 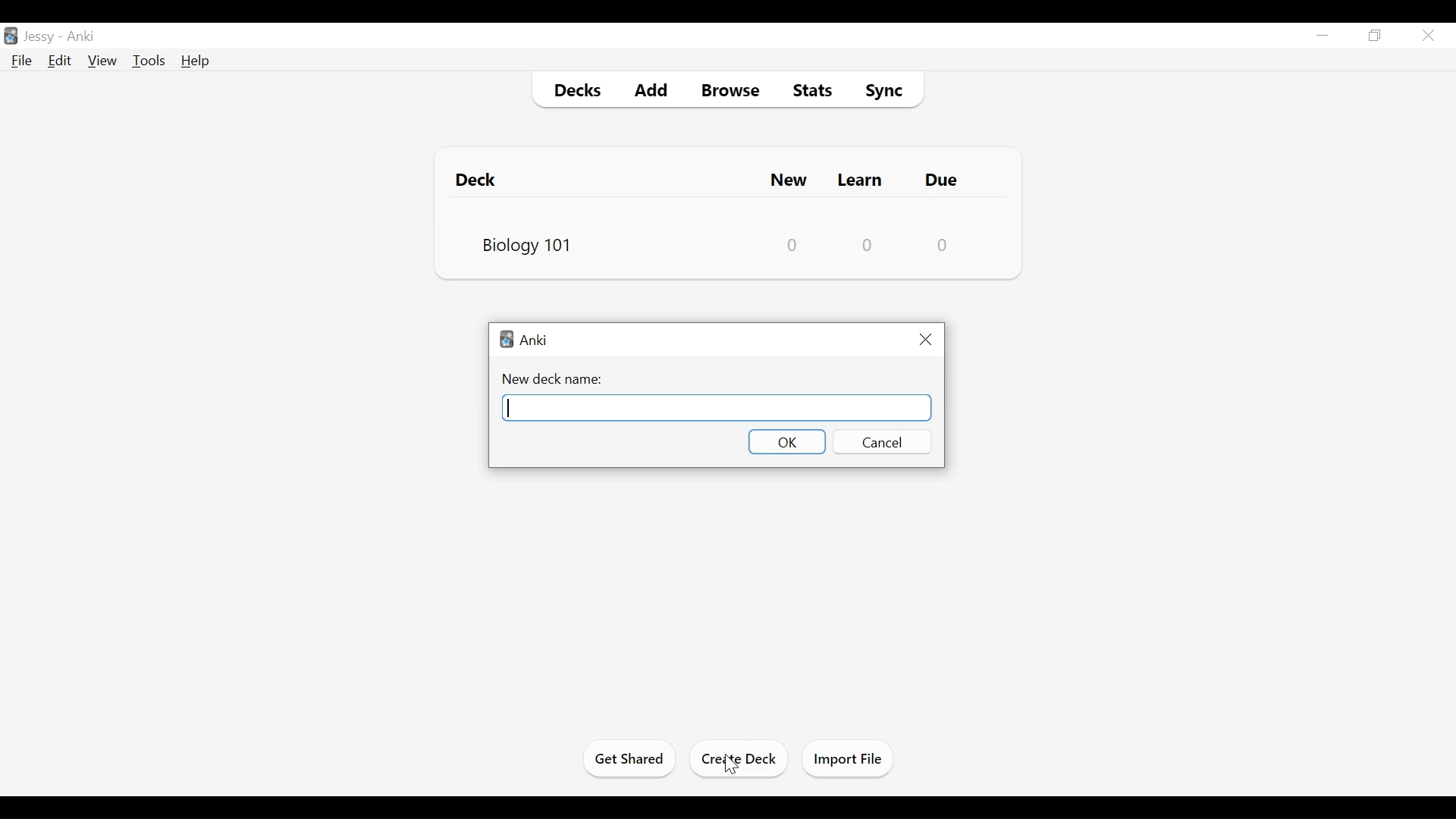 I want to click on Restore, so click(x=1375, y=35).